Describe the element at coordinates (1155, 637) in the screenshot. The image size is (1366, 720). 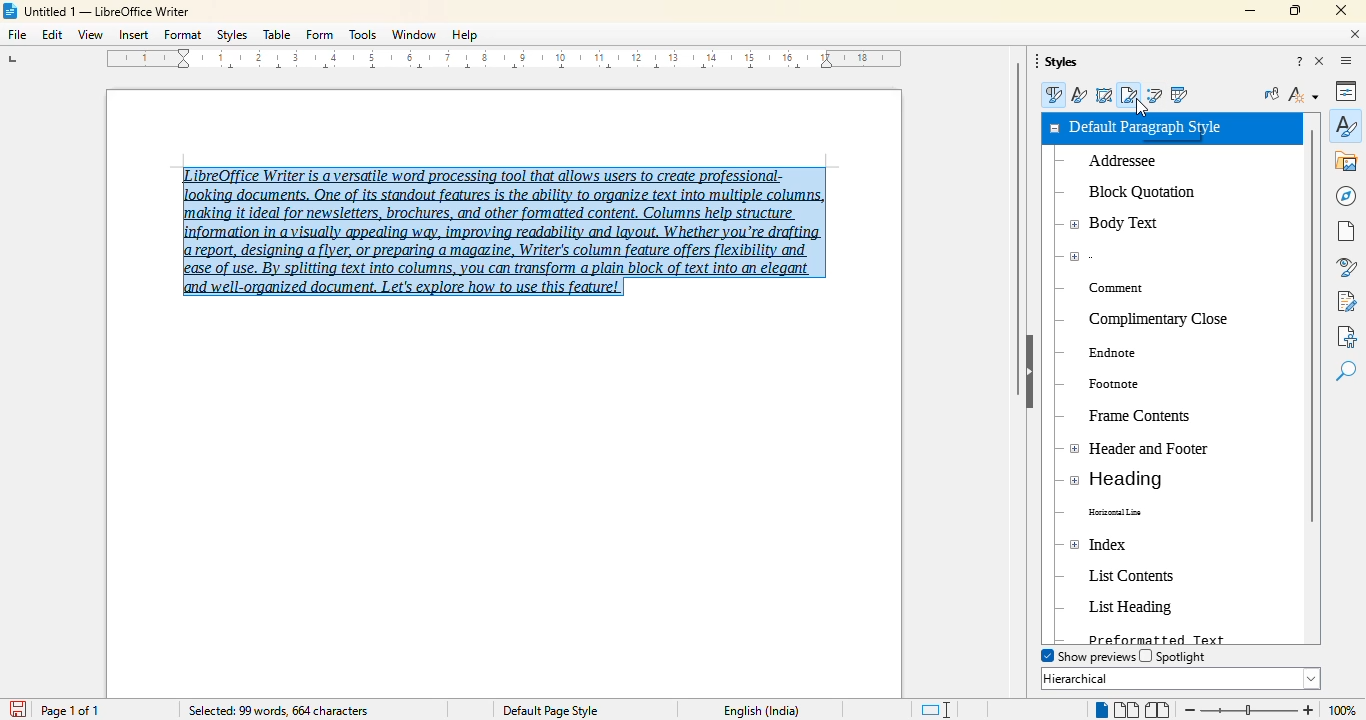
I see `Performance Text` at that location.